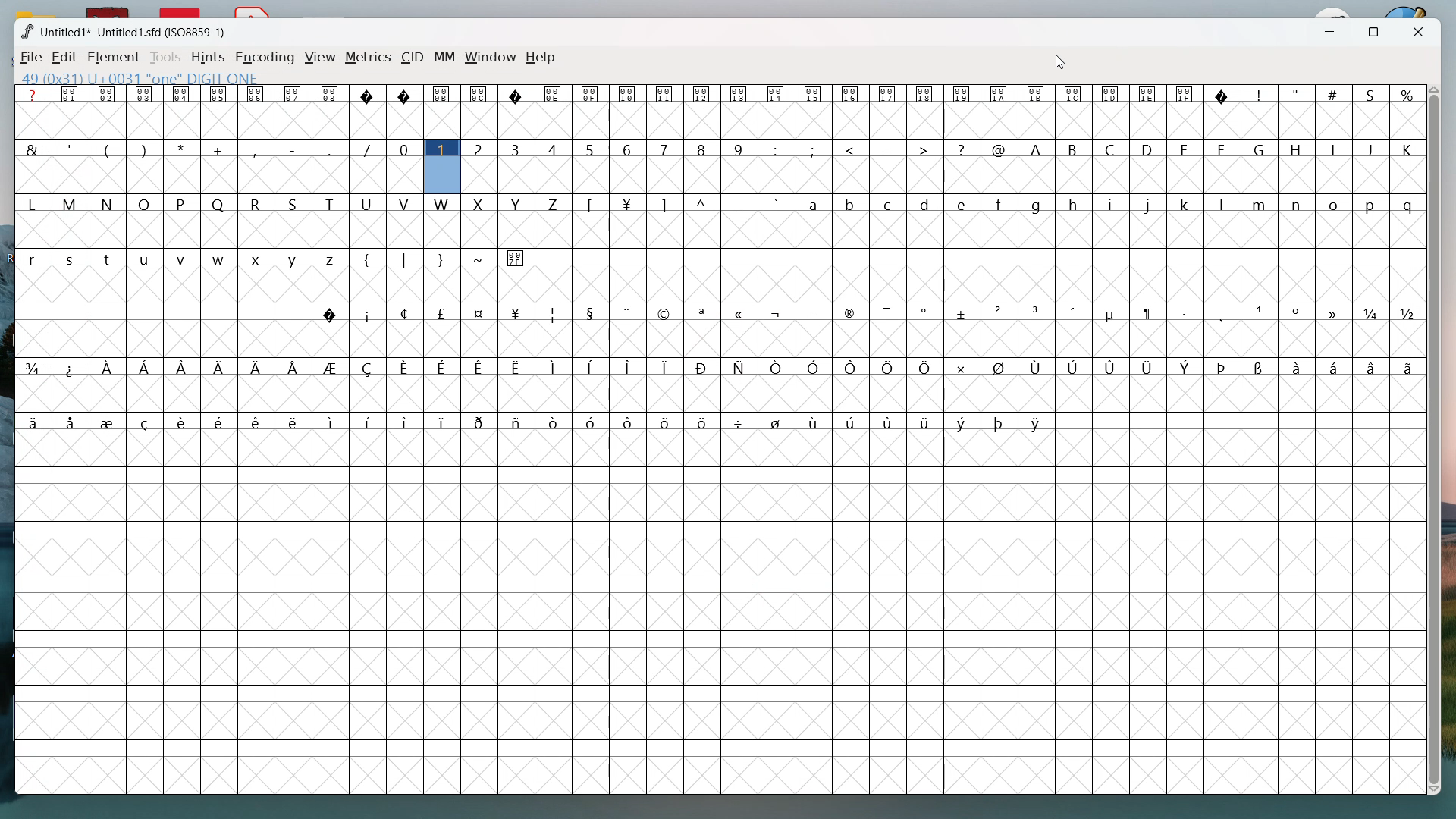 This screenshot has width=1456, height=819. Describe the element at coordinates (962, 367) in the screenshot. I see `symbol` at that location.